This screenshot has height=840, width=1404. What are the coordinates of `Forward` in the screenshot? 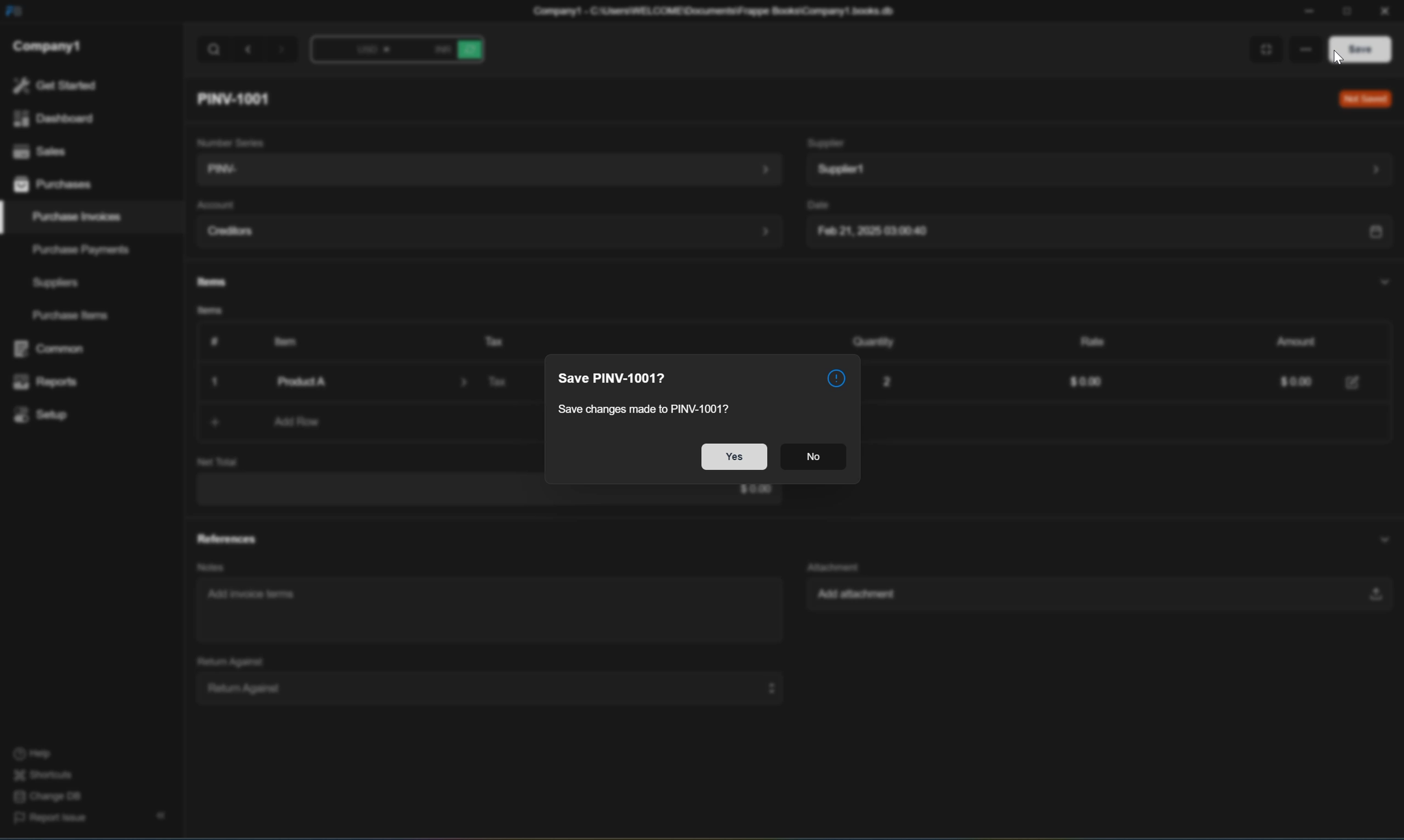 It's located at (283, 52).